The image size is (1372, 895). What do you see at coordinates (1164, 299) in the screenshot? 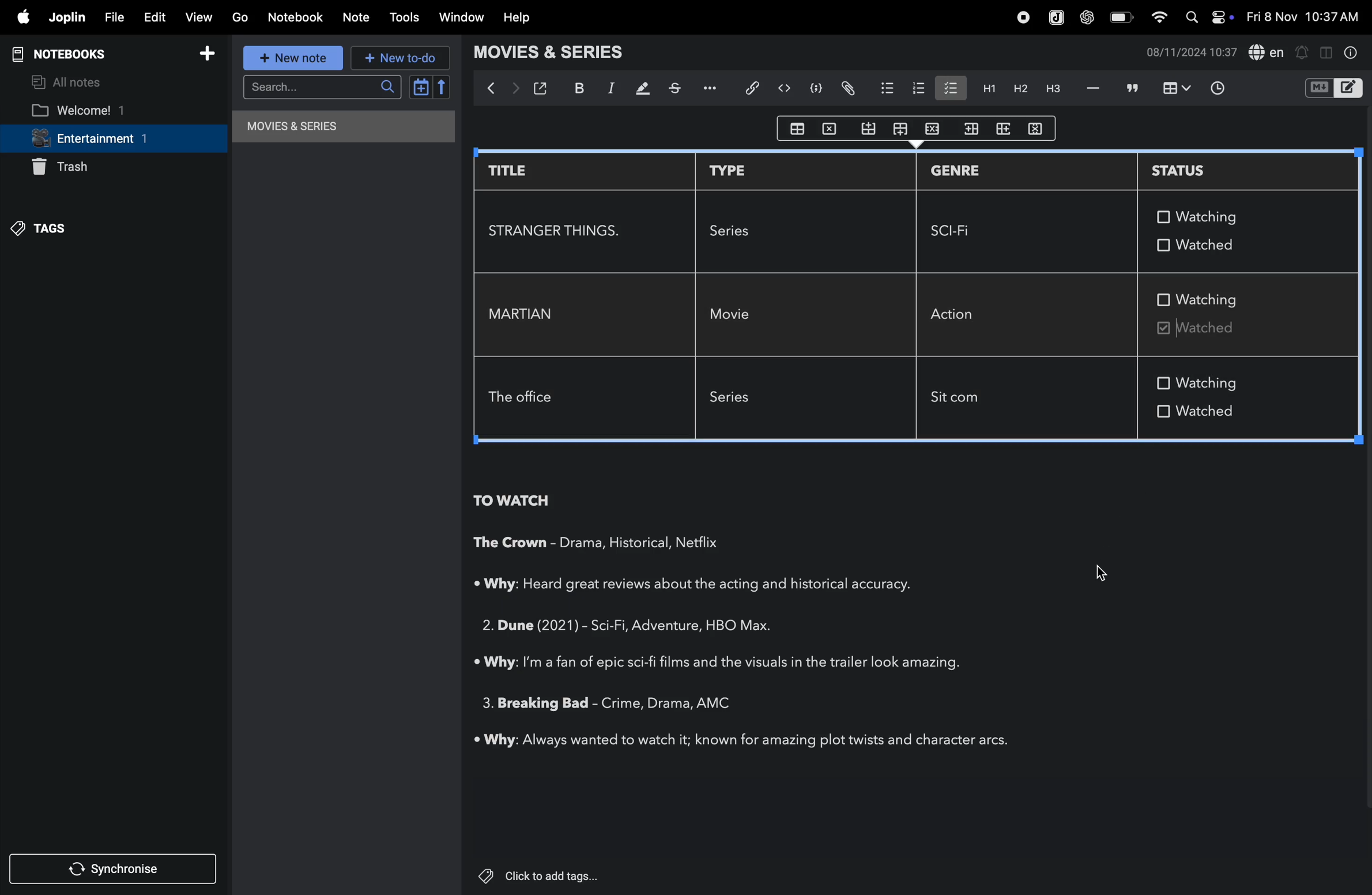
I see `check box` at bounding box center [1164, 299].